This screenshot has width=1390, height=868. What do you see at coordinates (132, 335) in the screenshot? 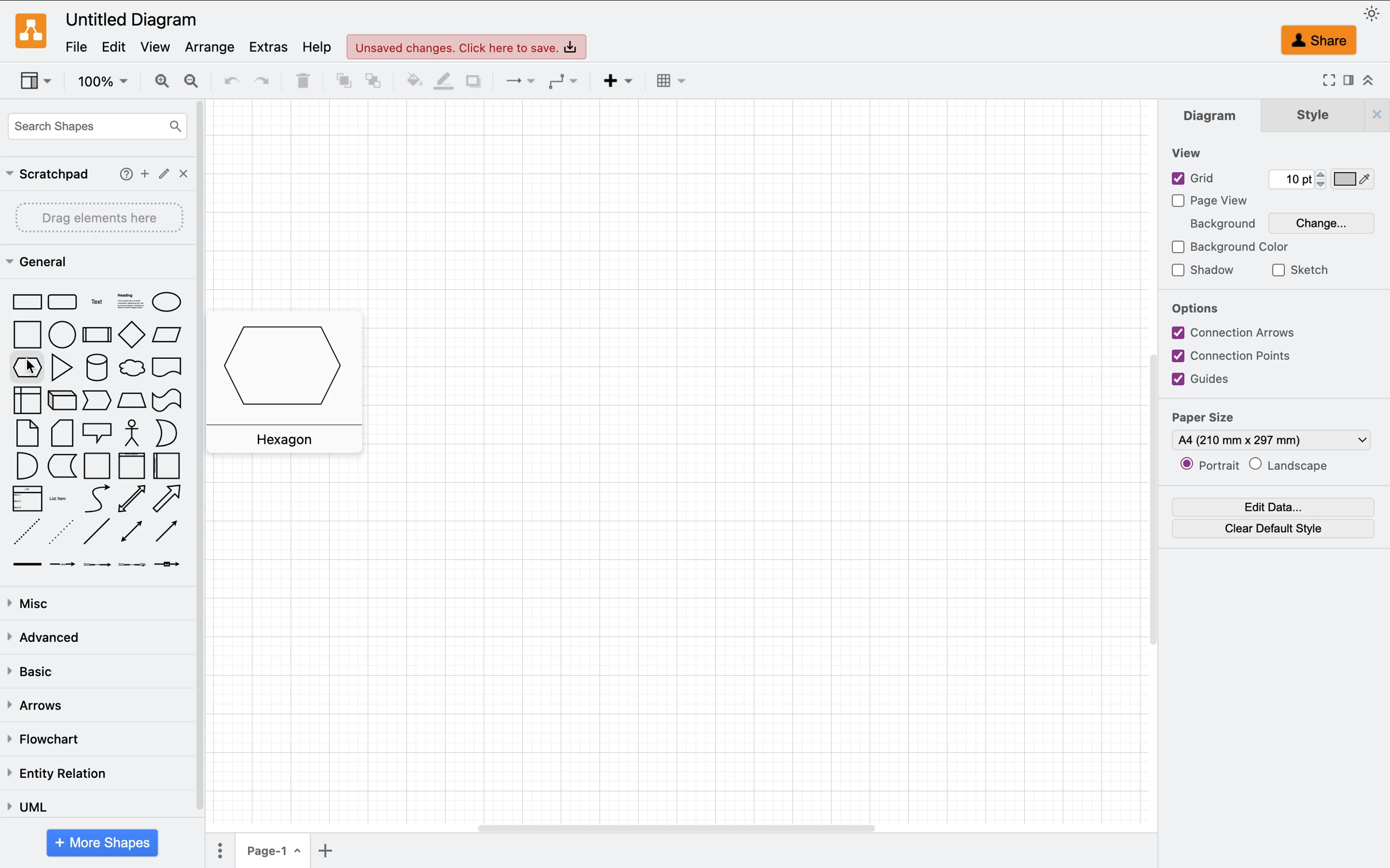
I see `diamond` at bounding box center [132, 335].